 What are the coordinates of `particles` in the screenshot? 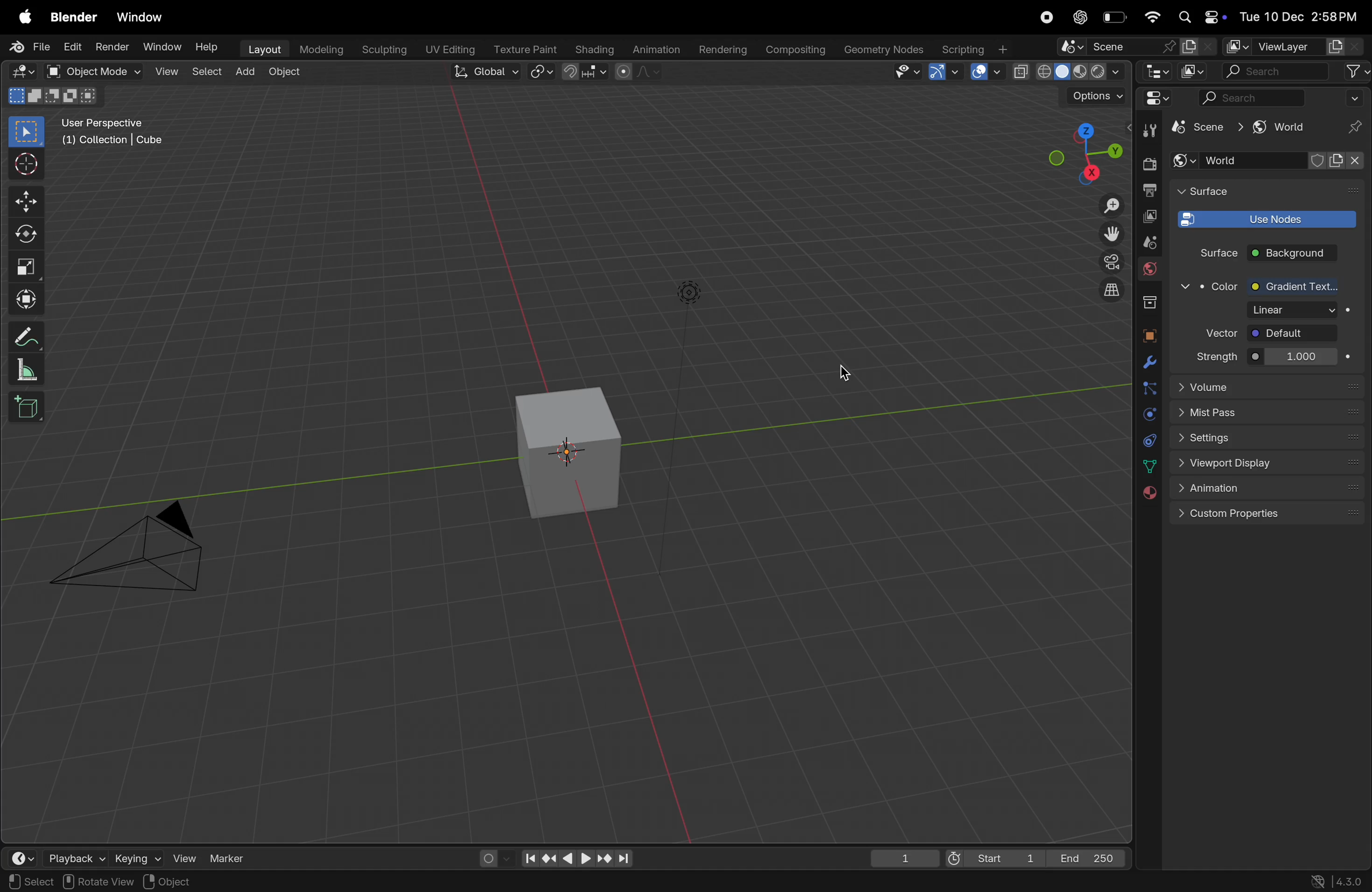 It's located at (1148, 388).